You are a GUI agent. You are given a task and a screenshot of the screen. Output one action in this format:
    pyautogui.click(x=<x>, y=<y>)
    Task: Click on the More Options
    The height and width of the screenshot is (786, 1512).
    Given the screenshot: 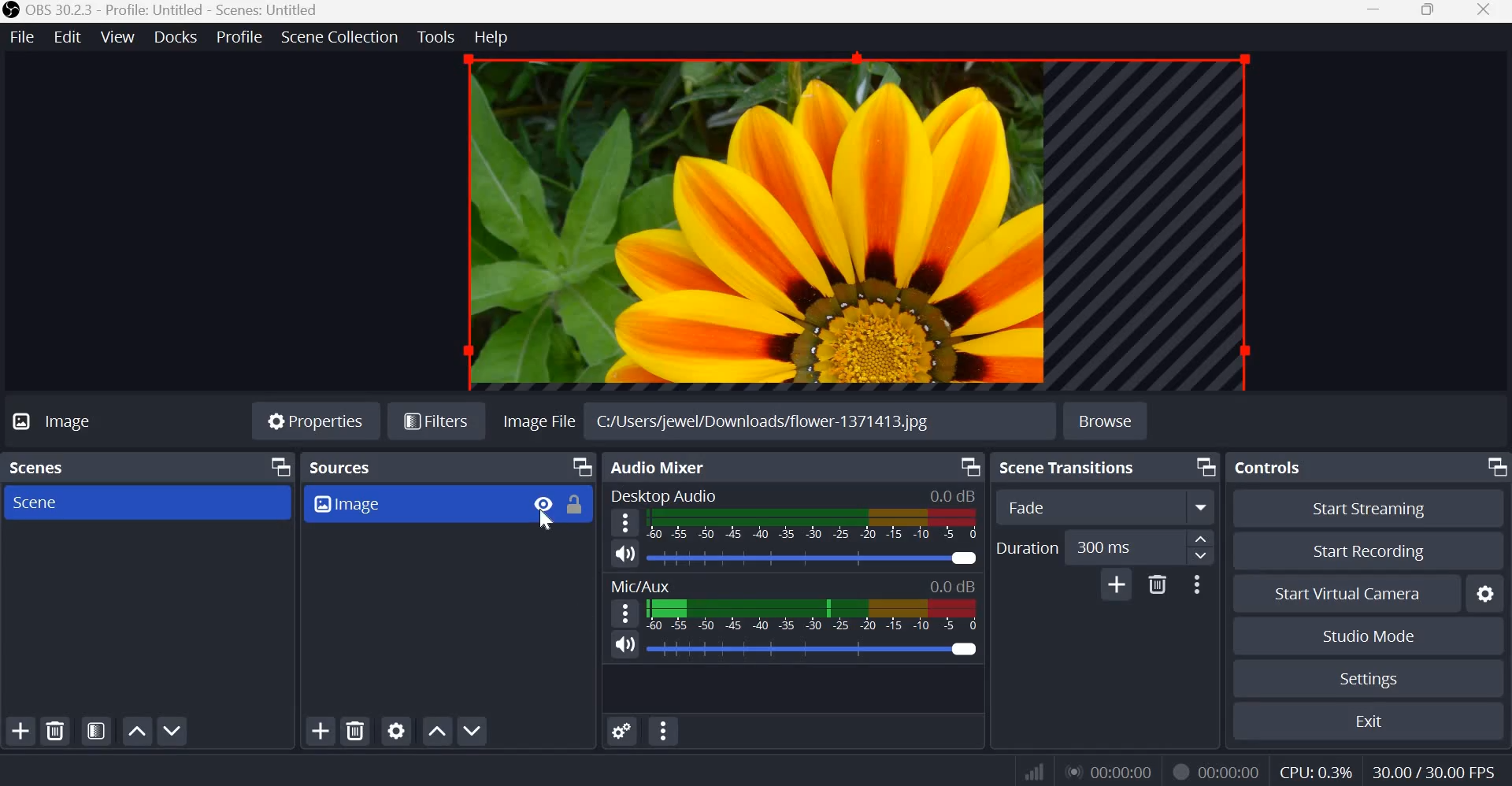 What is the action you would take?
    pyautogui.click(x=1197, y=584)
    